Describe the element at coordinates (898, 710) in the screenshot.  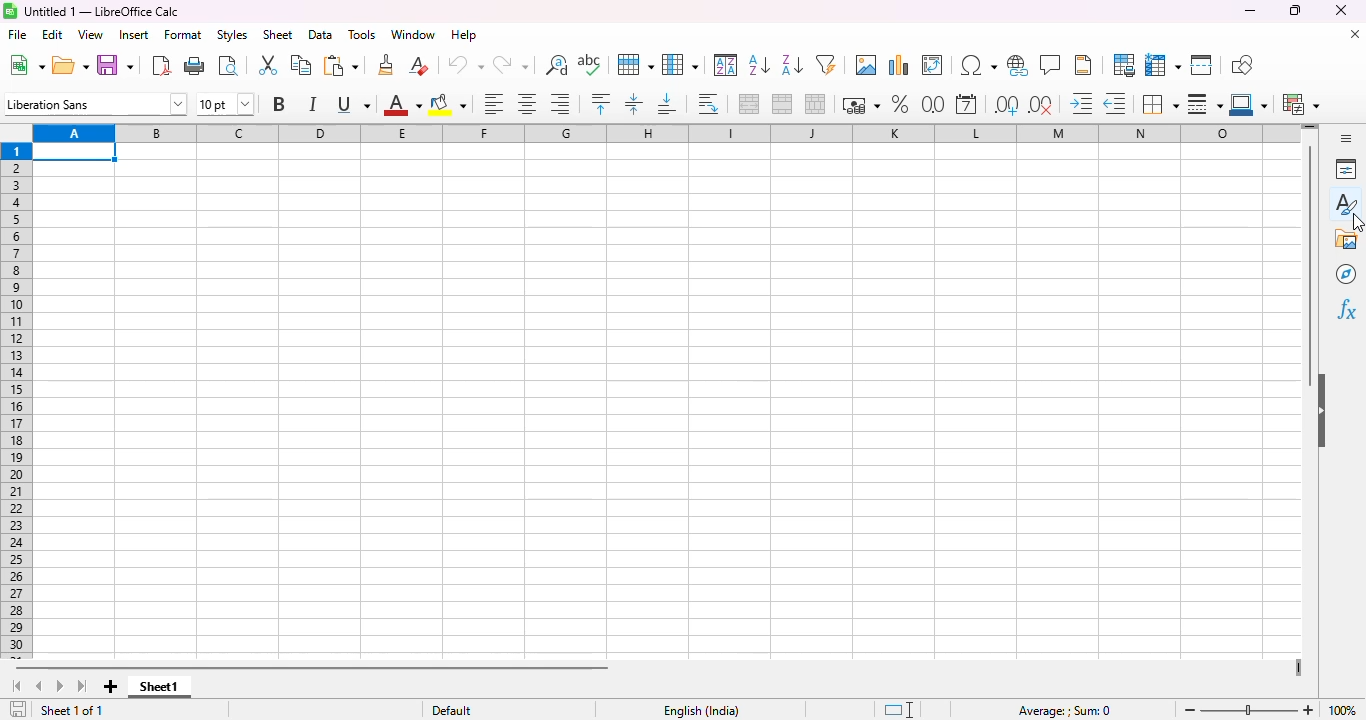
I see `standard selection` at that location.